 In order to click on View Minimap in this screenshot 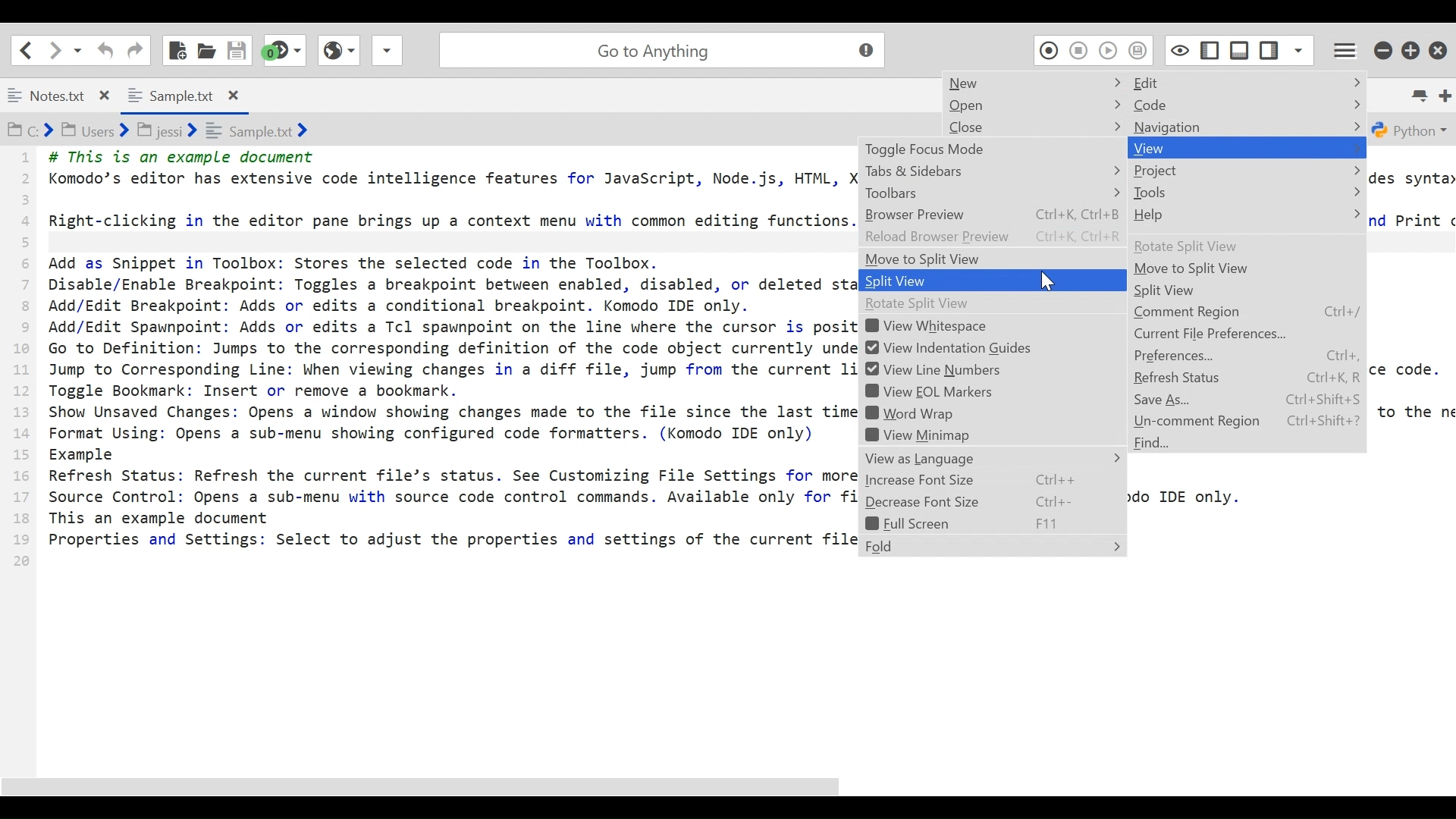, I will do `click(990, 434)`.